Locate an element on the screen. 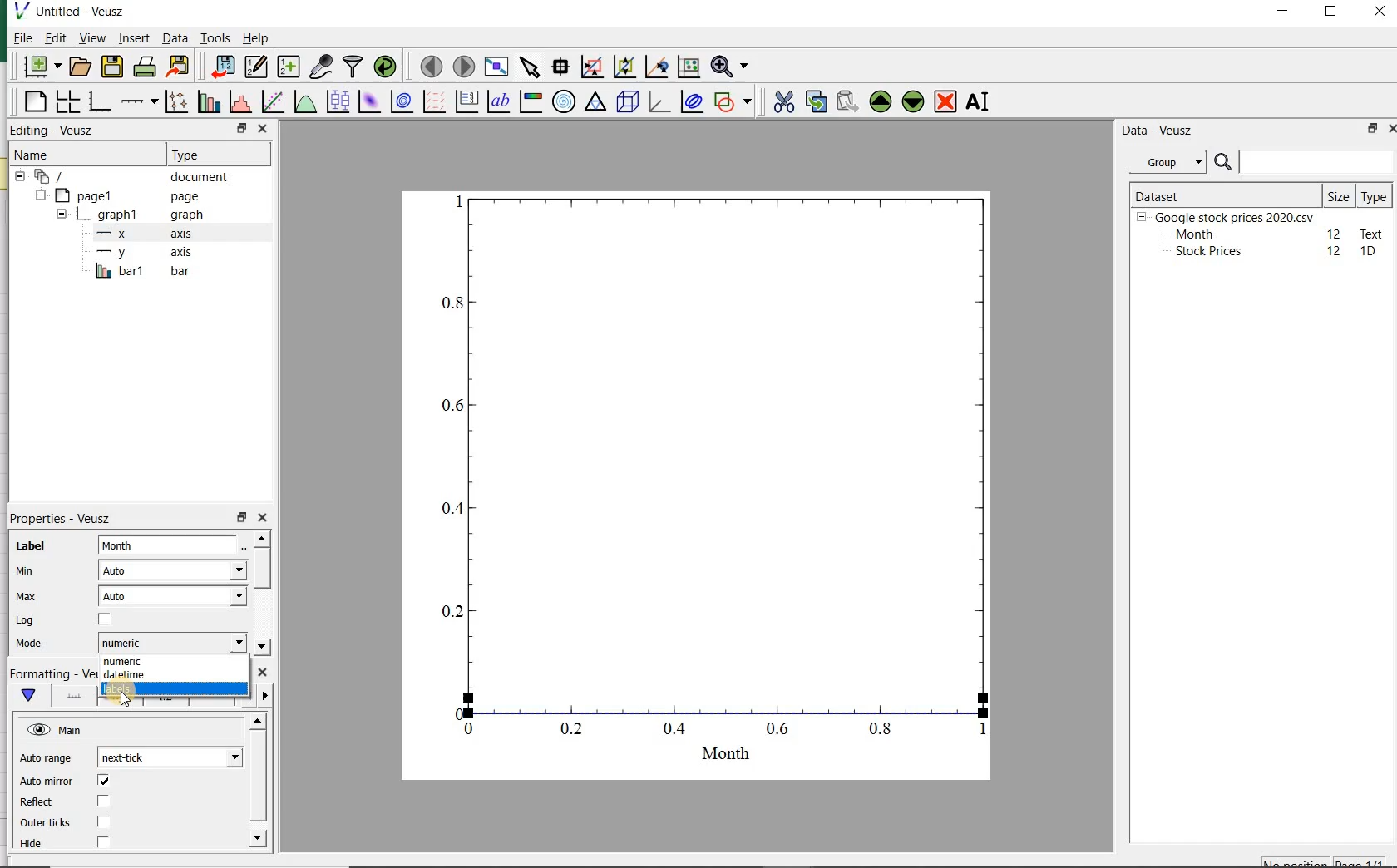  export to graphics format is located at coordinates (179, 67).